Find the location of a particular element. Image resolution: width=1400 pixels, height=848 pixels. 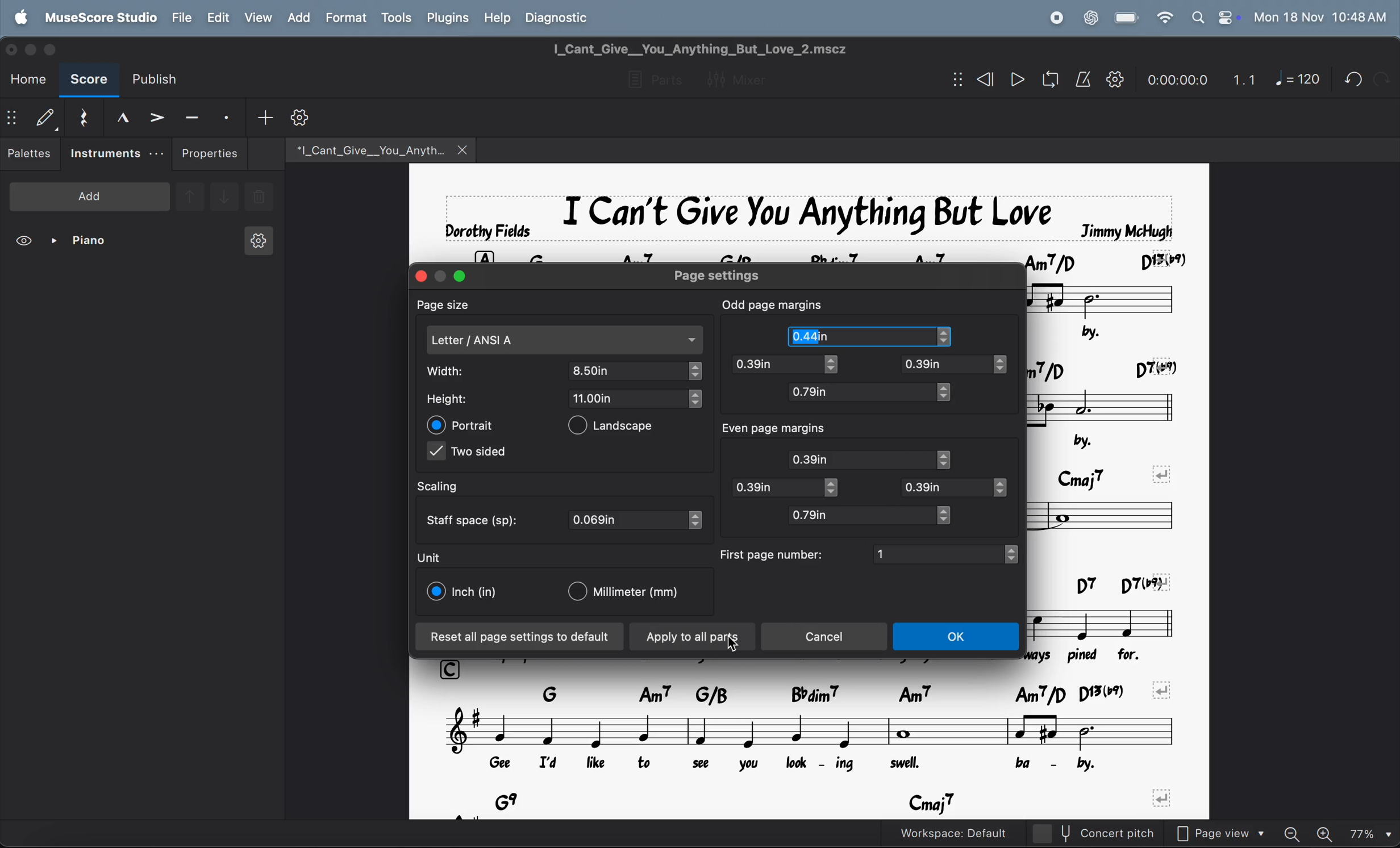

rows is located at coordinates (453, 667).